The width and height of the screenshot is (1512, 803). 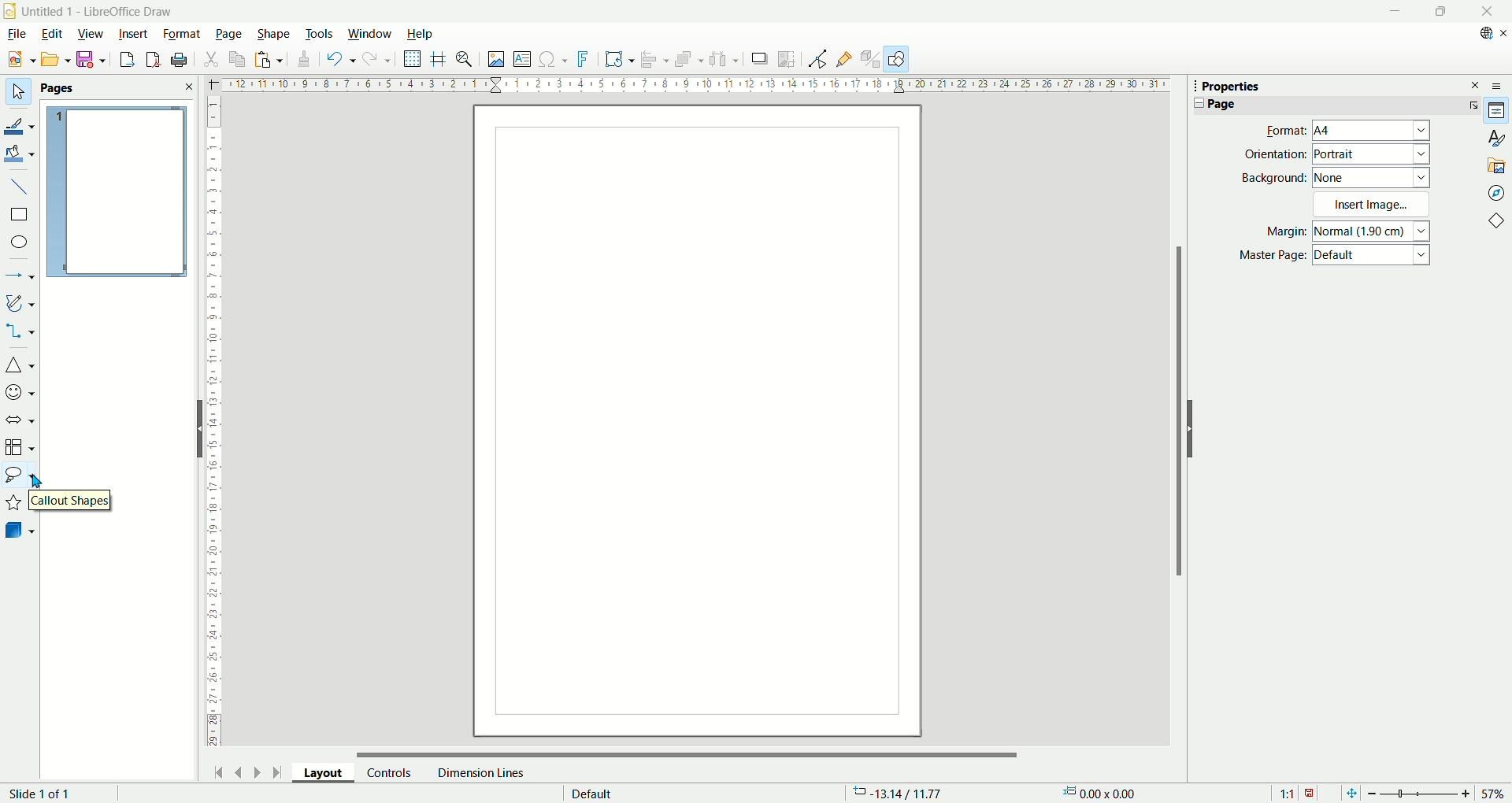 What do you see at coordinates (151, 60) in the screenshot?
I see `export as PDF` at bounding box center [151, 60].